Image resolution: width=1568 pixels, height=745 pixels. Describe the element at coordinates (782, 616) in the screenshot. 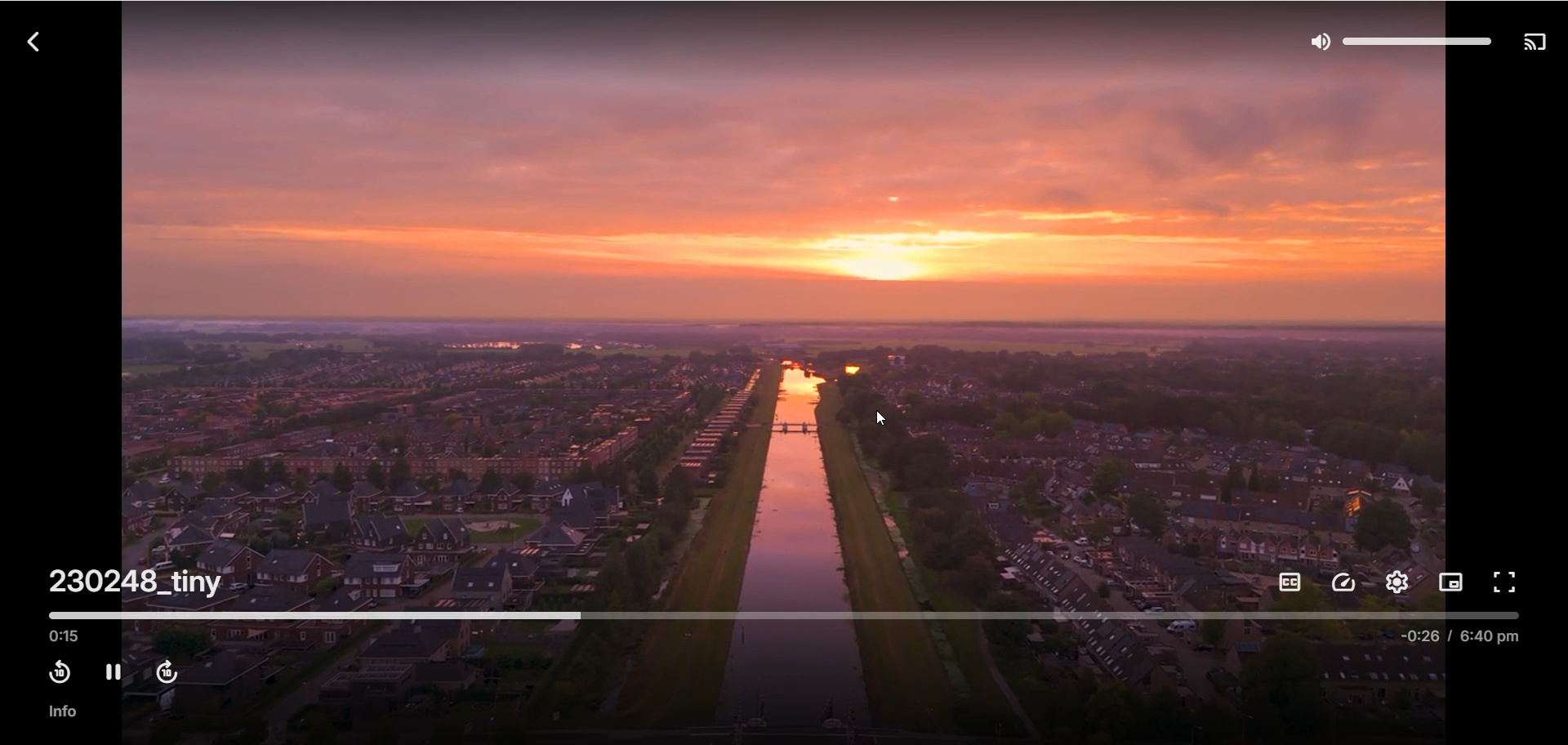

I see `timeline` at that location.